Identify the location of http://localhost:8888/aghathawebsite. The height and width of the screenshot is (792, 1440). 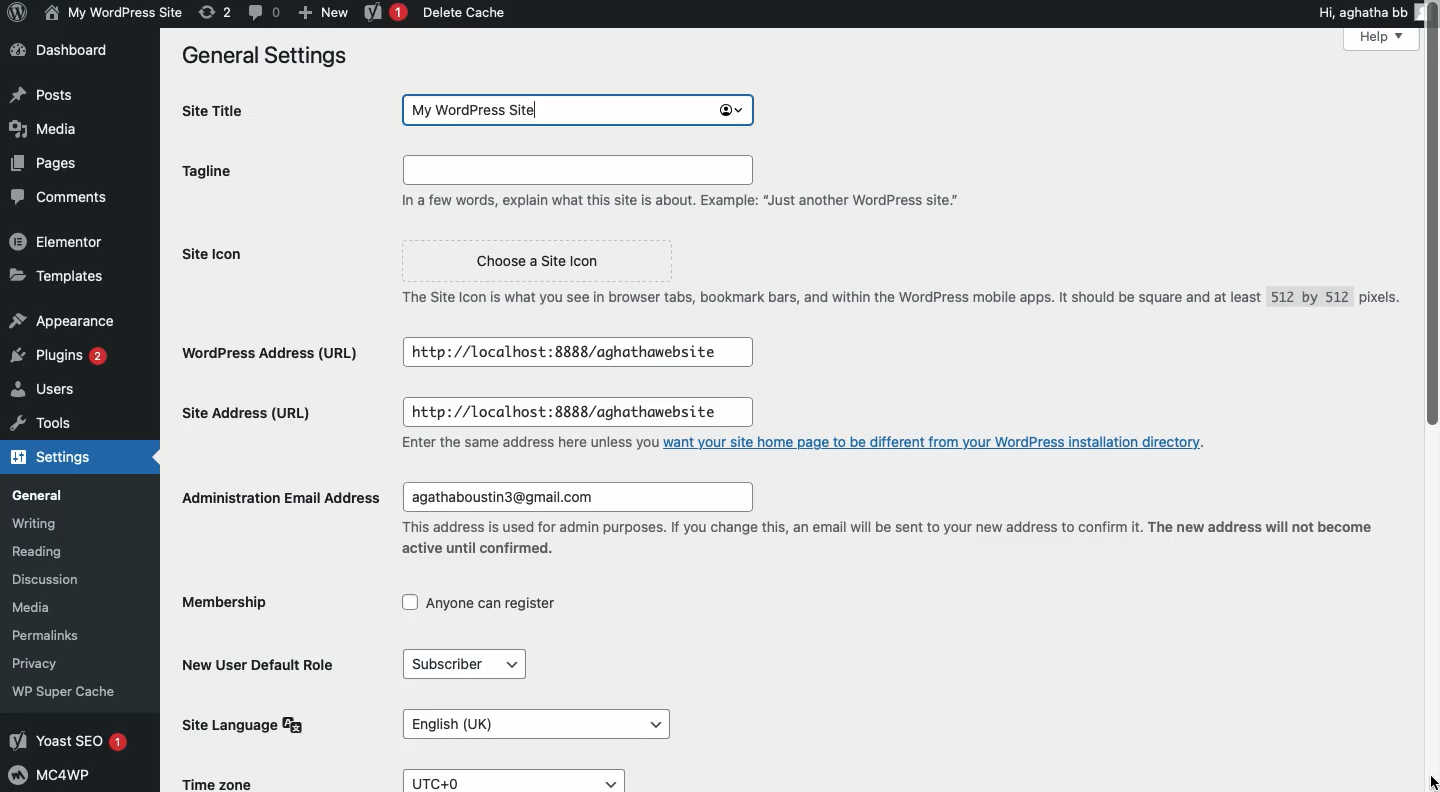
(579, 413).